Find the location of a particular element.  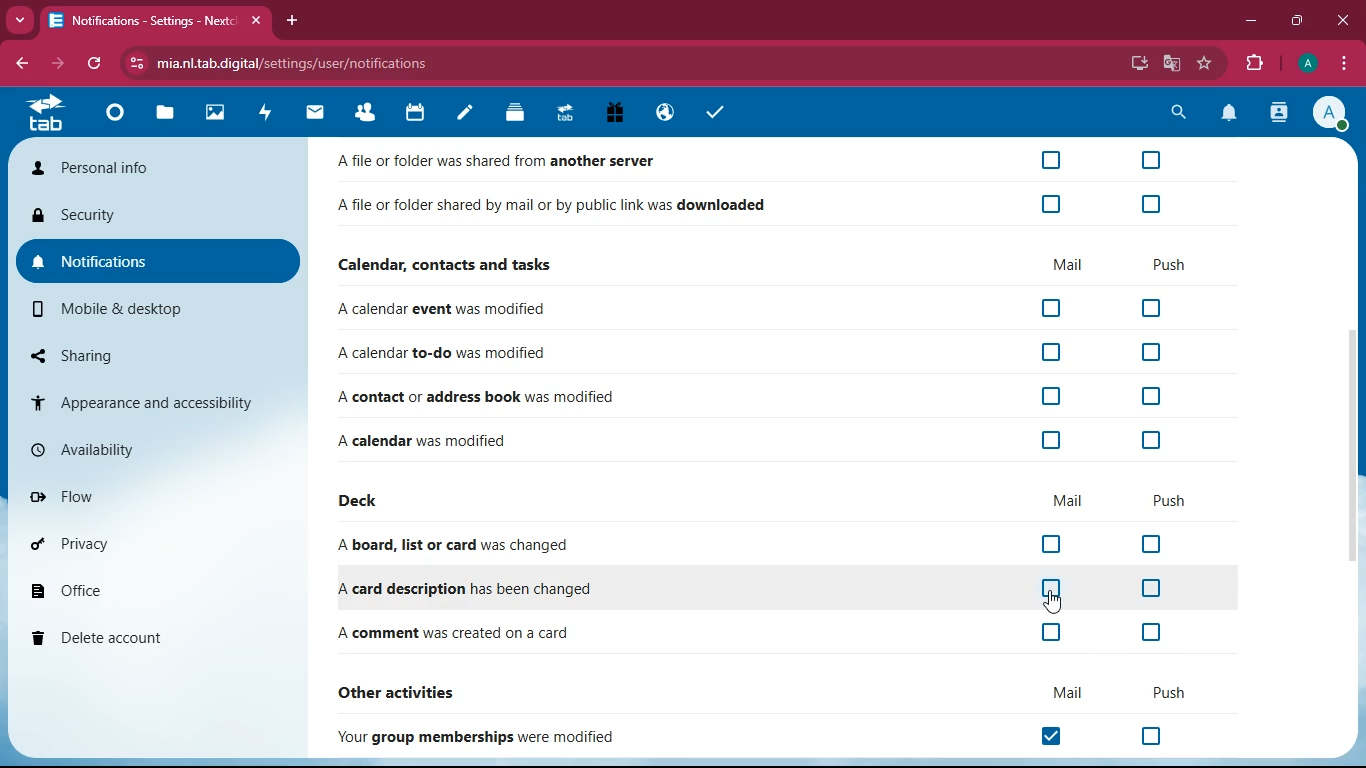

office is located at coordinates (151, 588).